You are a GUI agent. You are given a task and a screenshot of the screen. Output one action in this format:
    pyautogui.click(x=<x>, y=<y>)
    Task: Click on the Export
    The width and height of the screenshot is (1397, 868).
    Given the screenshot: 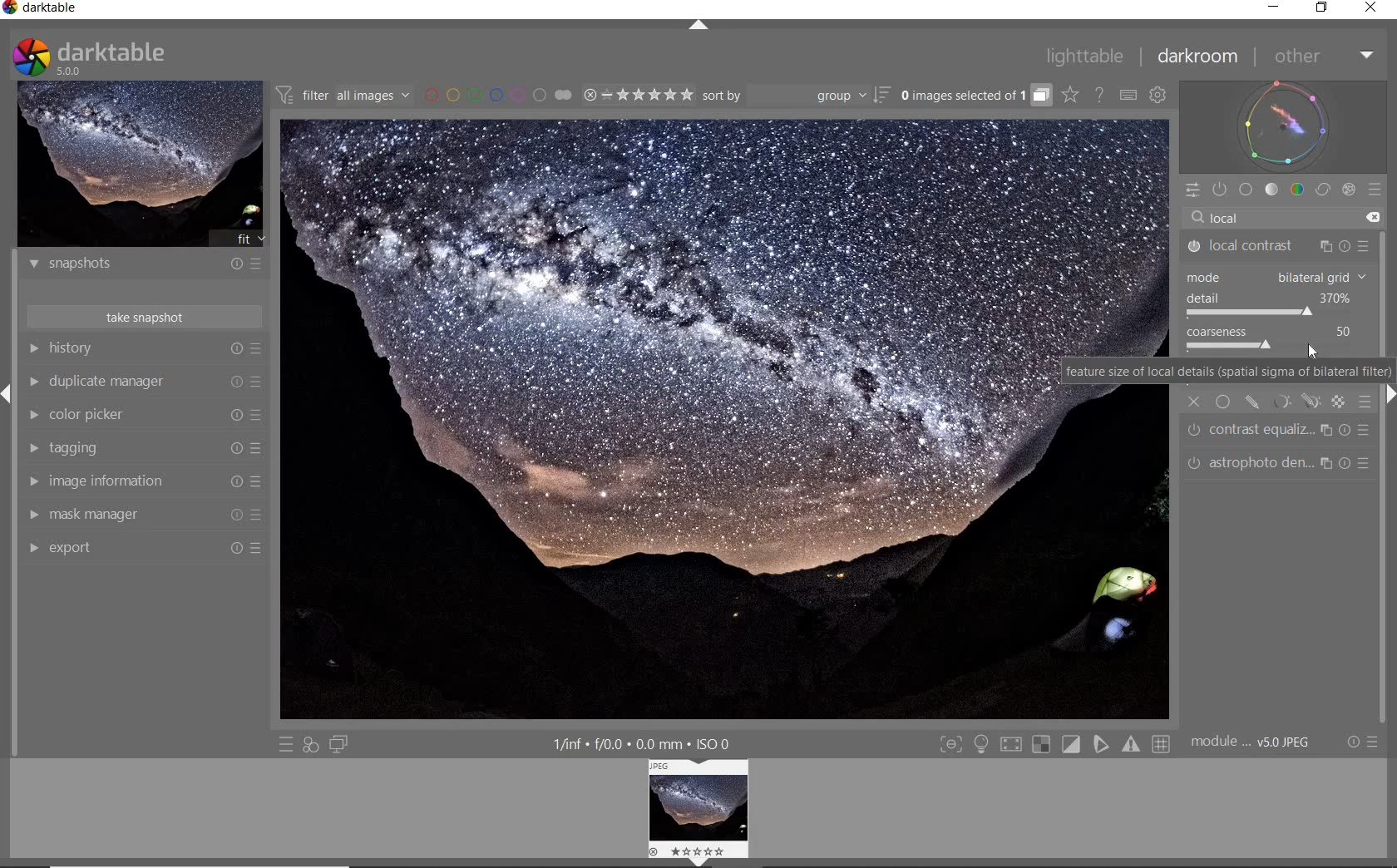 What is the action you would take?
    pyautogui.click(x=72, y=548)
    